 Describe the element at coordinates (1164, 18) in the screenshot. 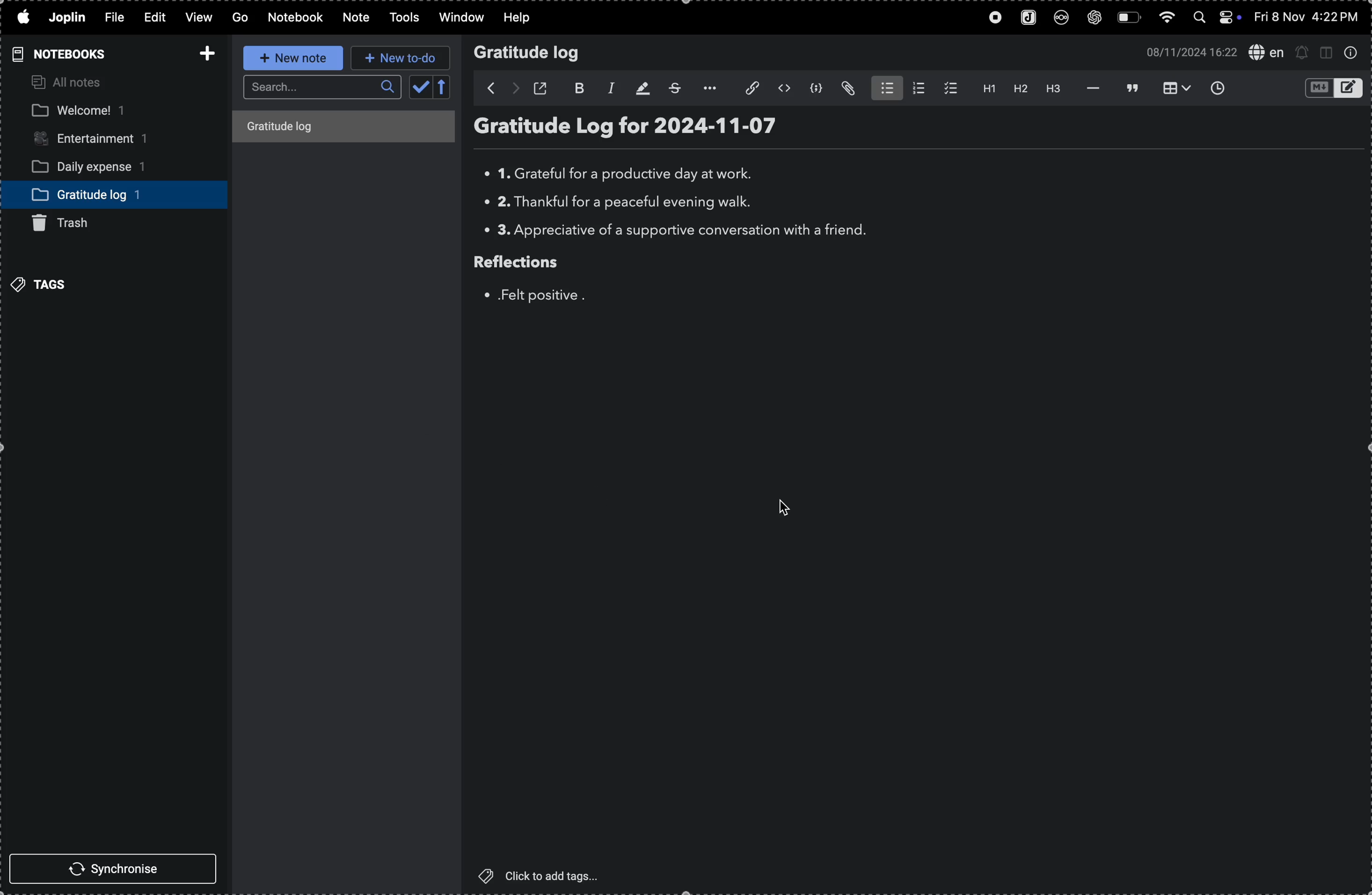

I see `wifi` at that location.